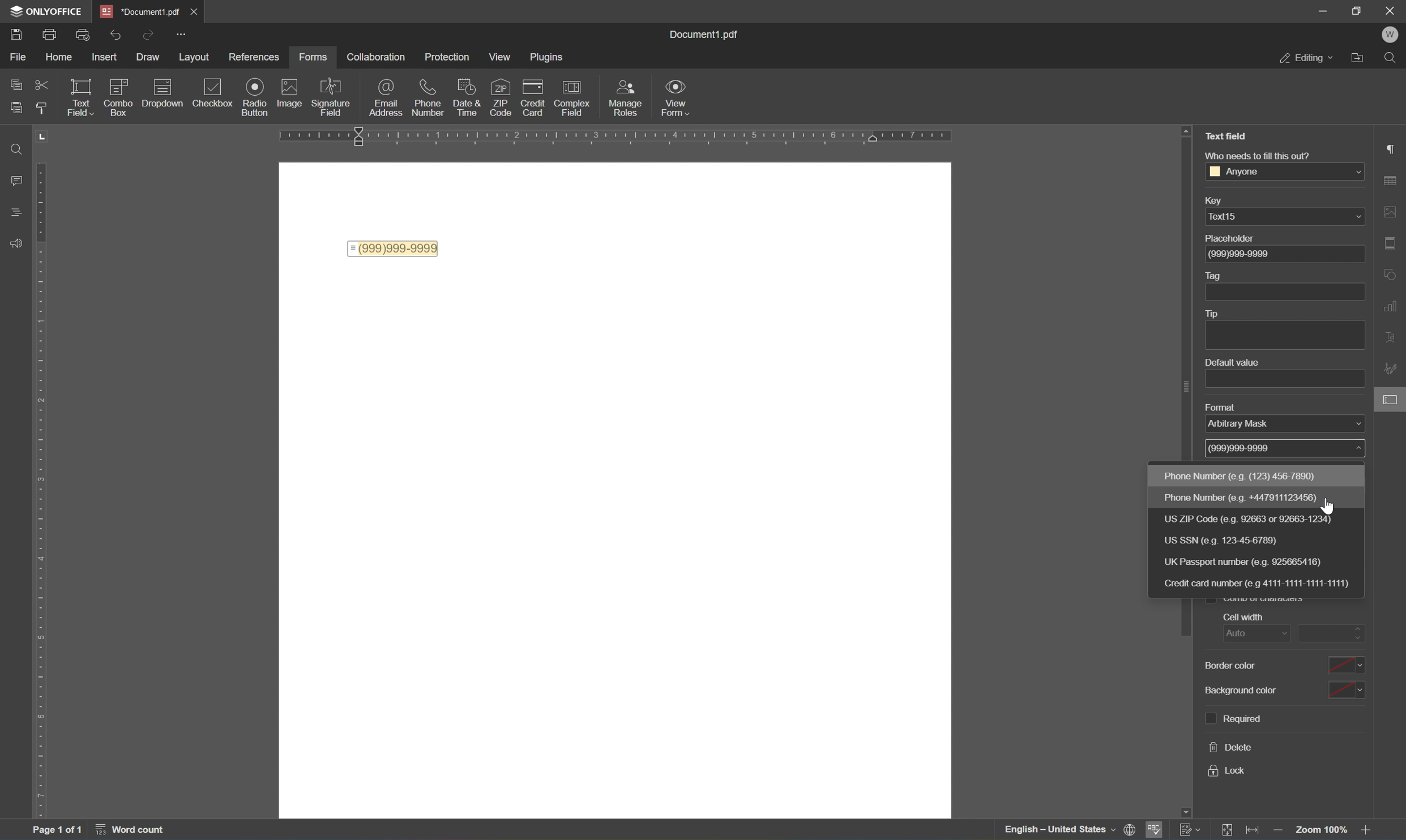 The height and width of the screenshot is (840, 1406). What do you see at coordinates (1249, 496) in the screenshot?
I see `phone number` at bounding box center [1249, 496].